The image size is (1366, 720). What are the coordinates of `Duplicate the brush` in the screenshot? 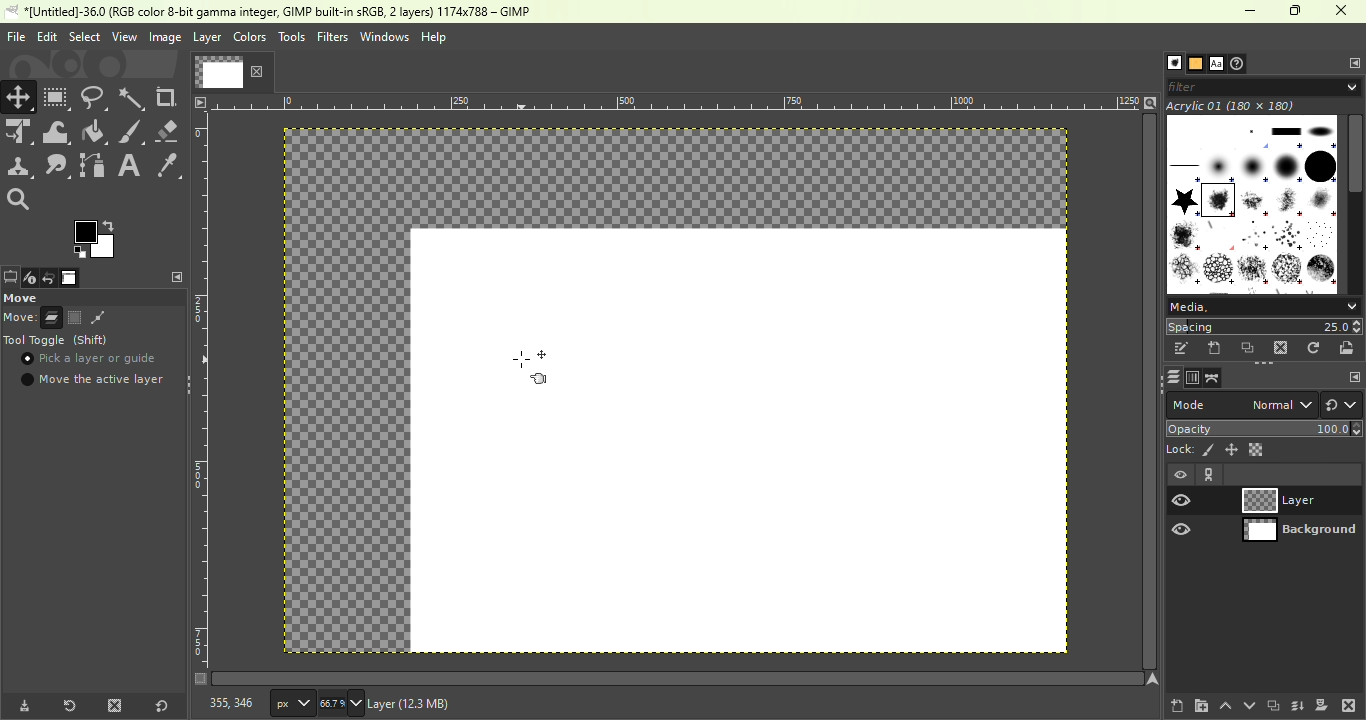 It's located at (1248, 350).